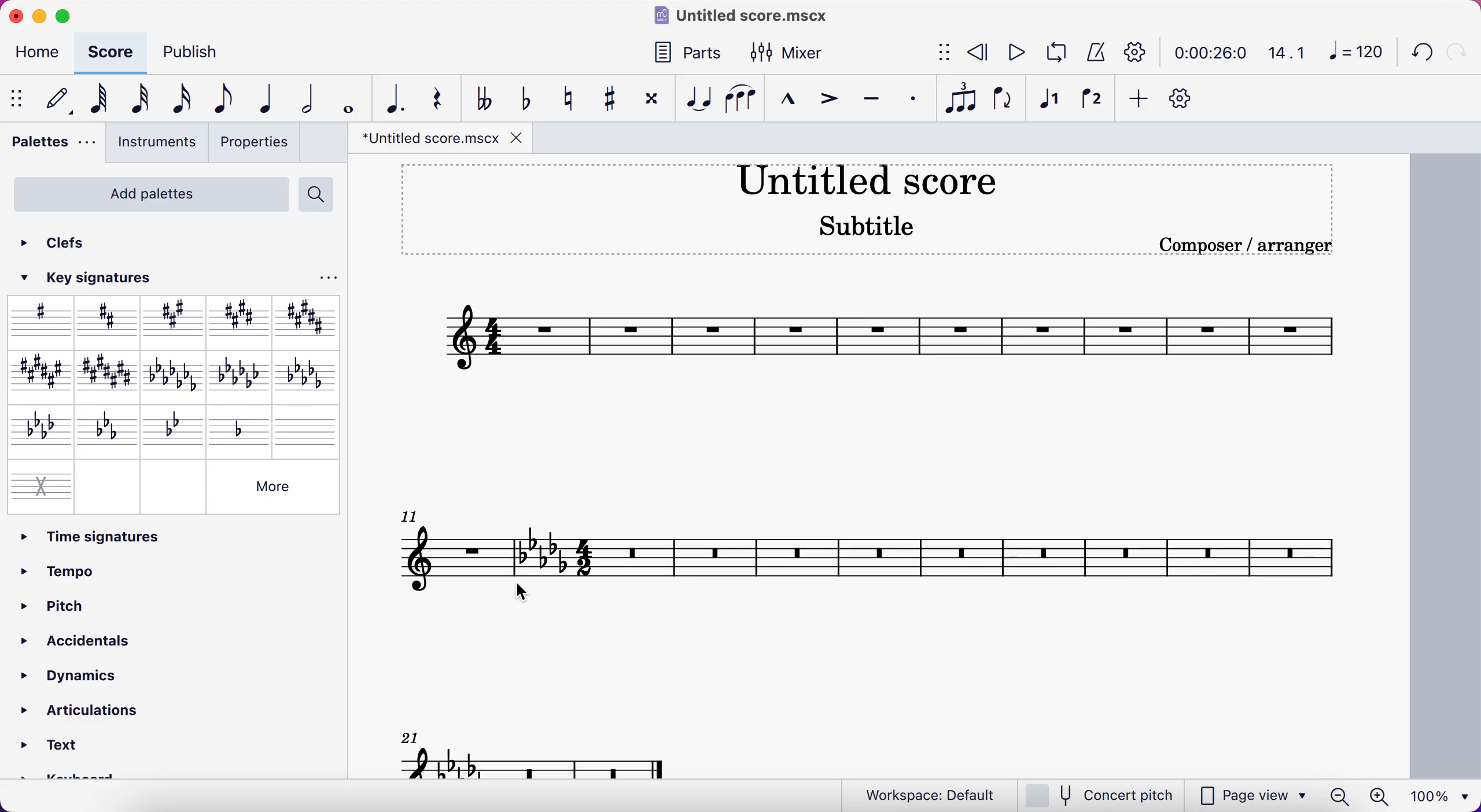  Describe the element at coordinates (1140, 98) in the screenshot. I see `add` at that location.